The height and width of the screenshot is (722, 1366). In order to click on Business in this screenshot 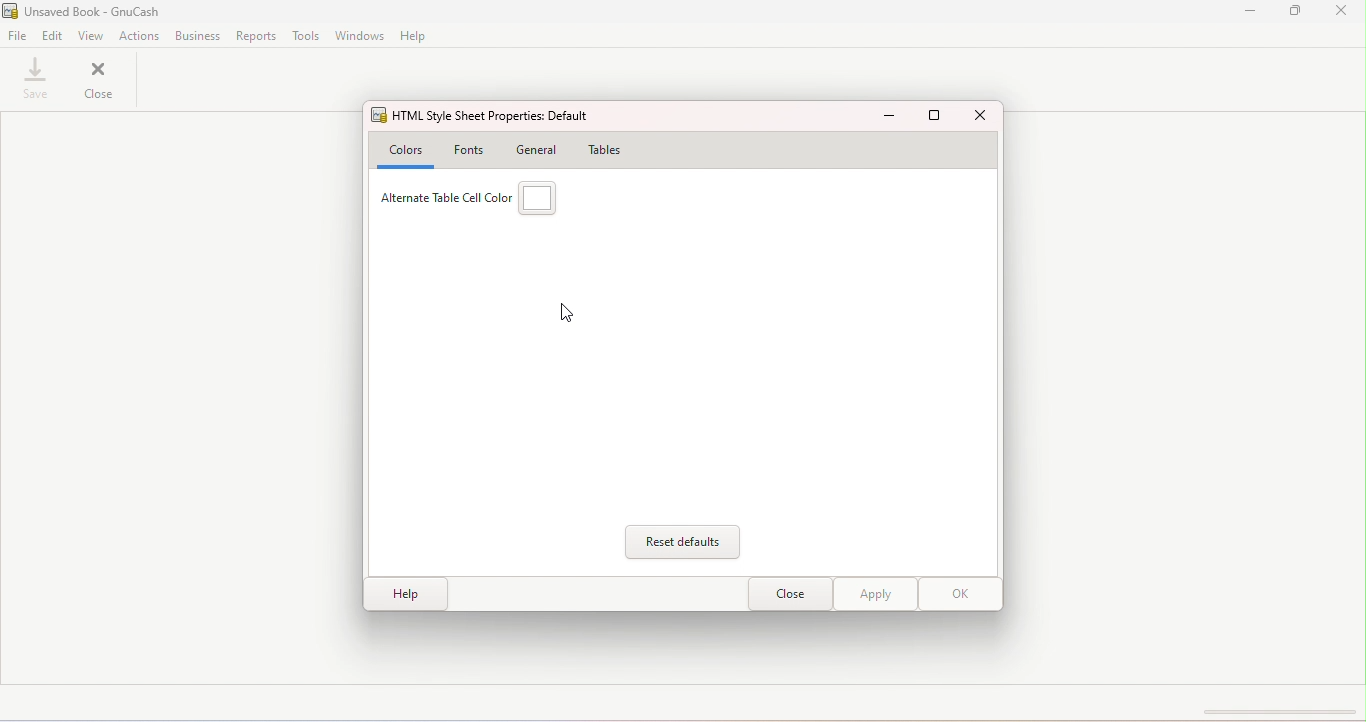, I will do `click(195, 37)`.